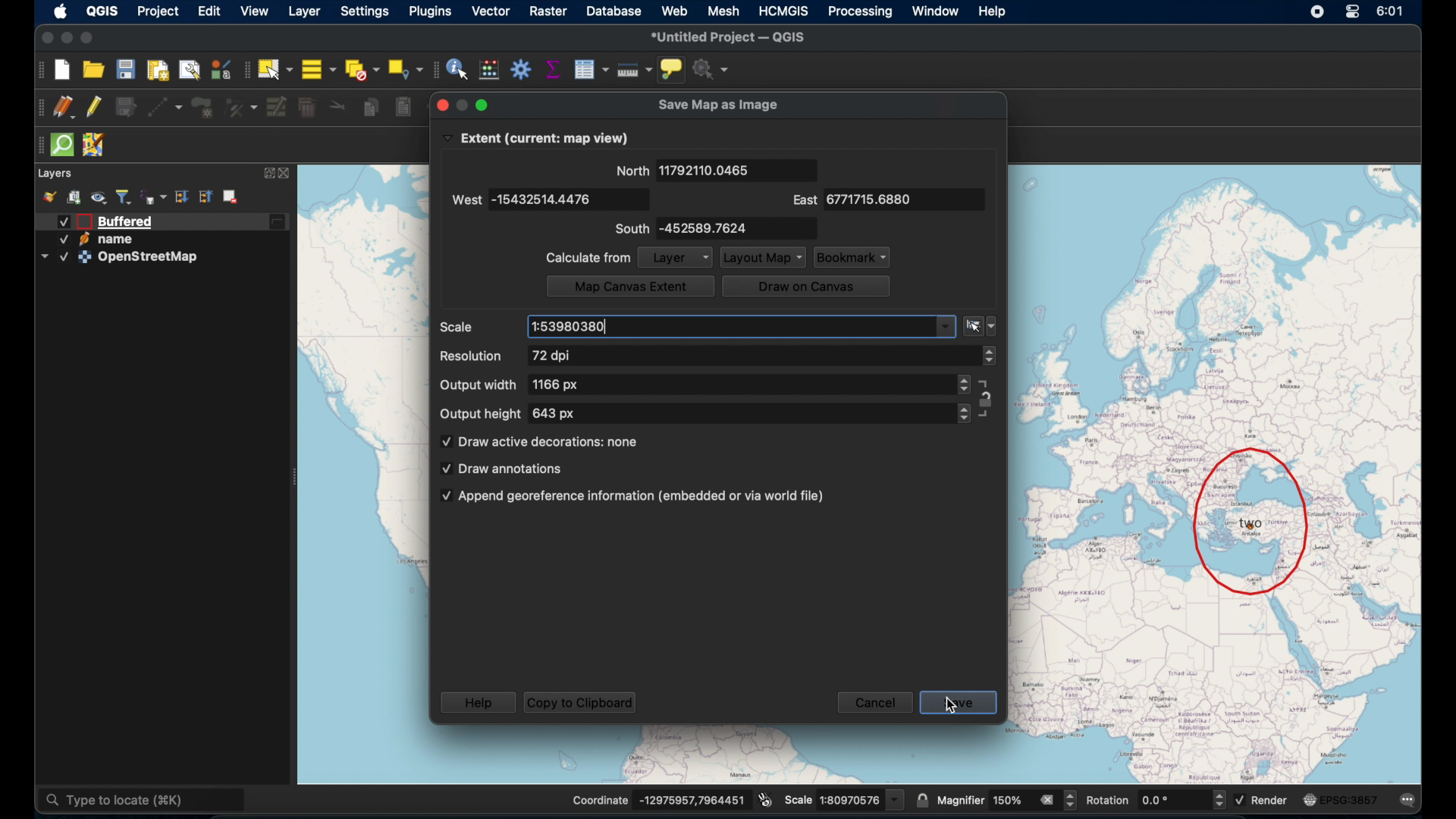 Image resolution: width=1456 pixels, height=819 pixels. Describe the element at coordinates (479, 385) in the screenshot. I see `output width` at that location.